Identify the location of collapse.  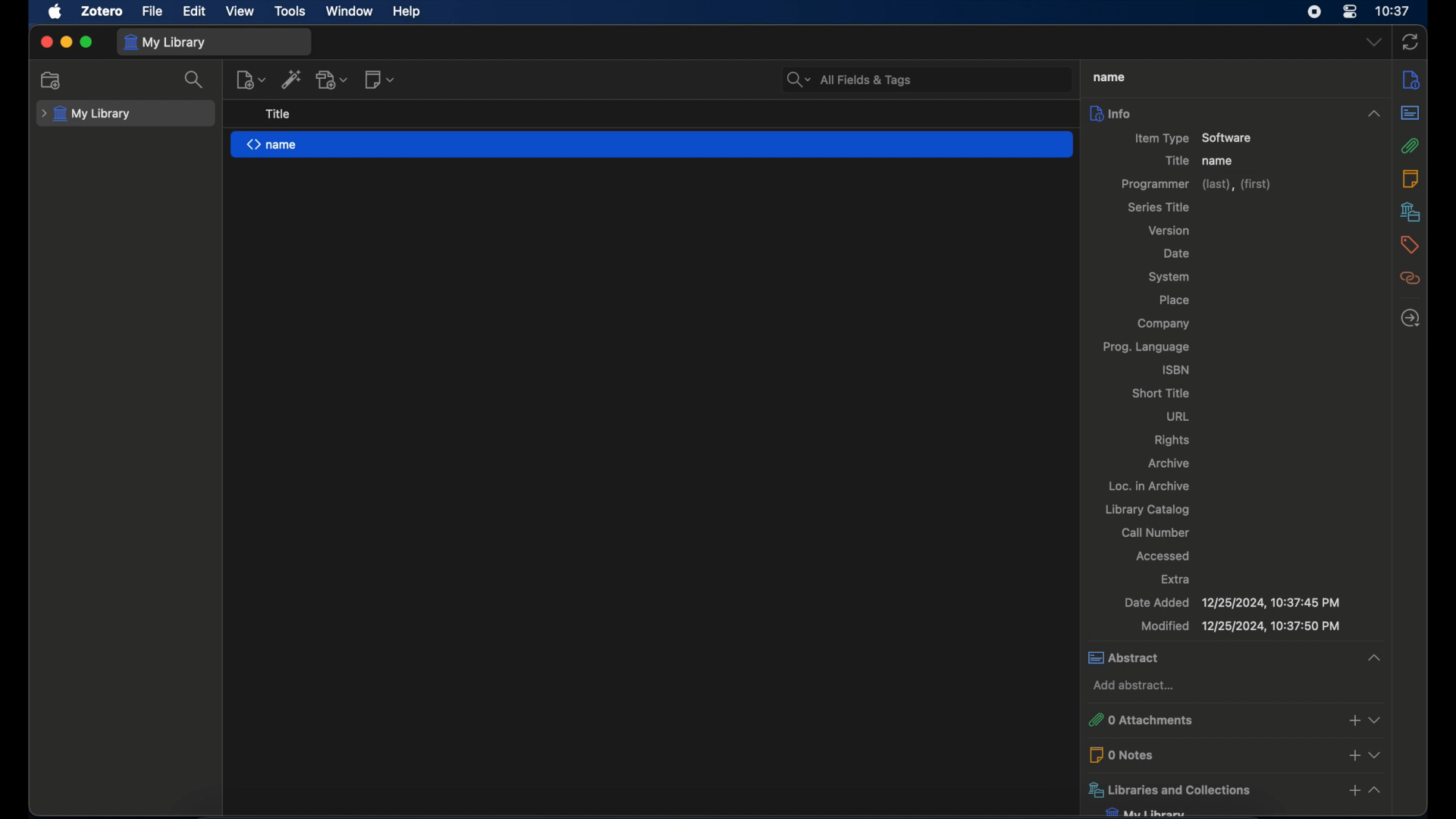
(1370, 656).